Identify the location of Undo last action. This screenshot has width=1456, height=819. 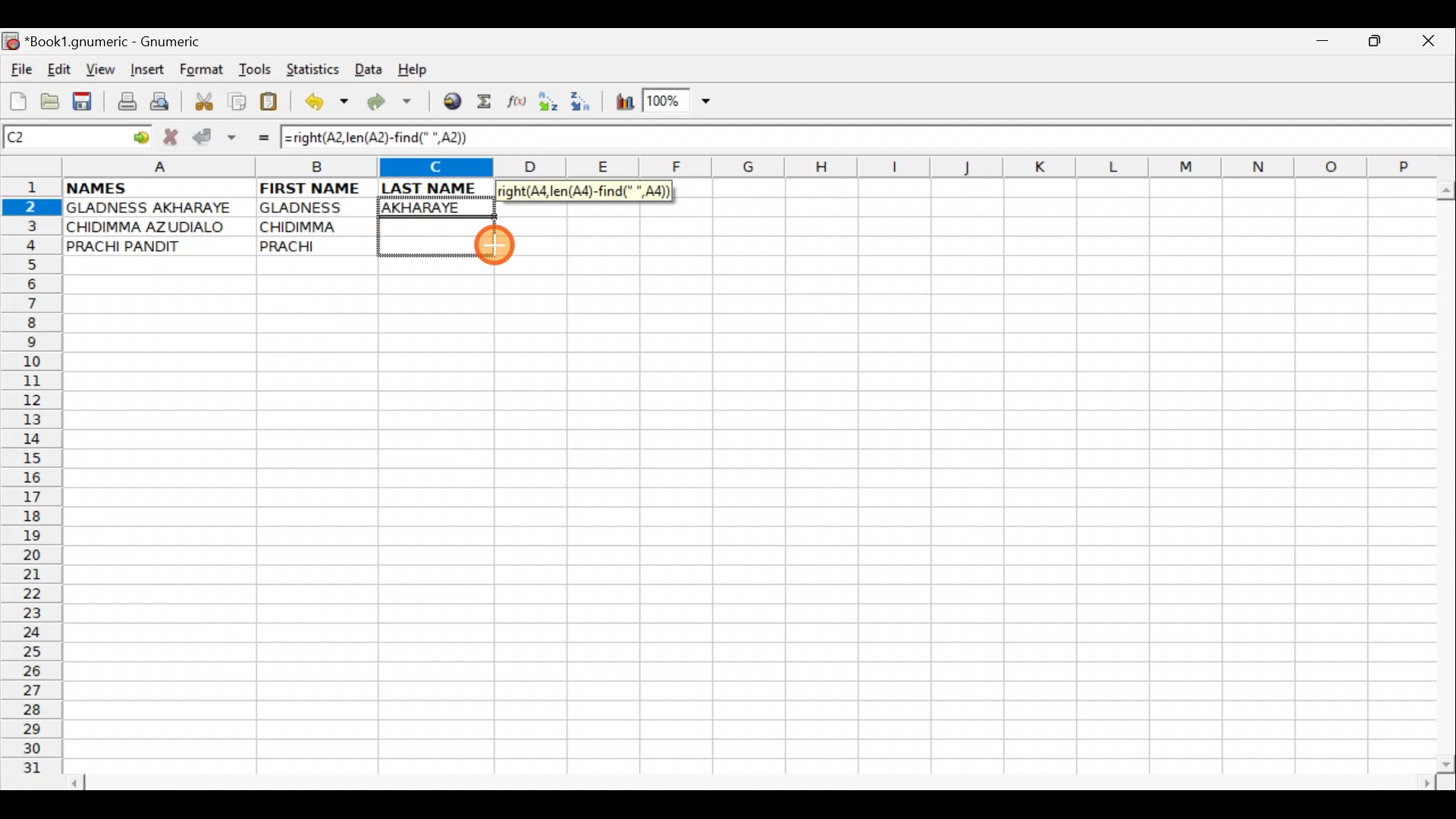
(328, 104).